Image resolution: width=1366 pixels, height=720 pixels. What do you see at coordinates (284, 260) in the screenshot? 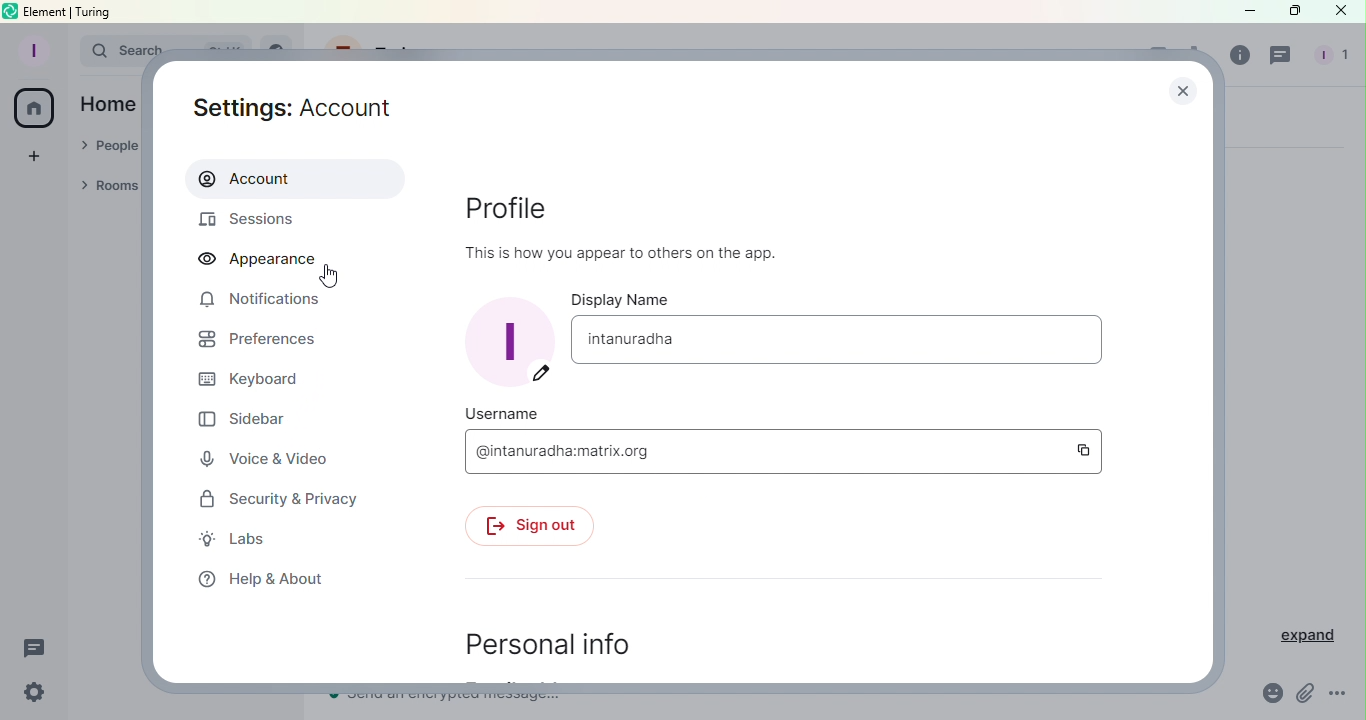
I see `Appearance` at bounding box center [284, 260].